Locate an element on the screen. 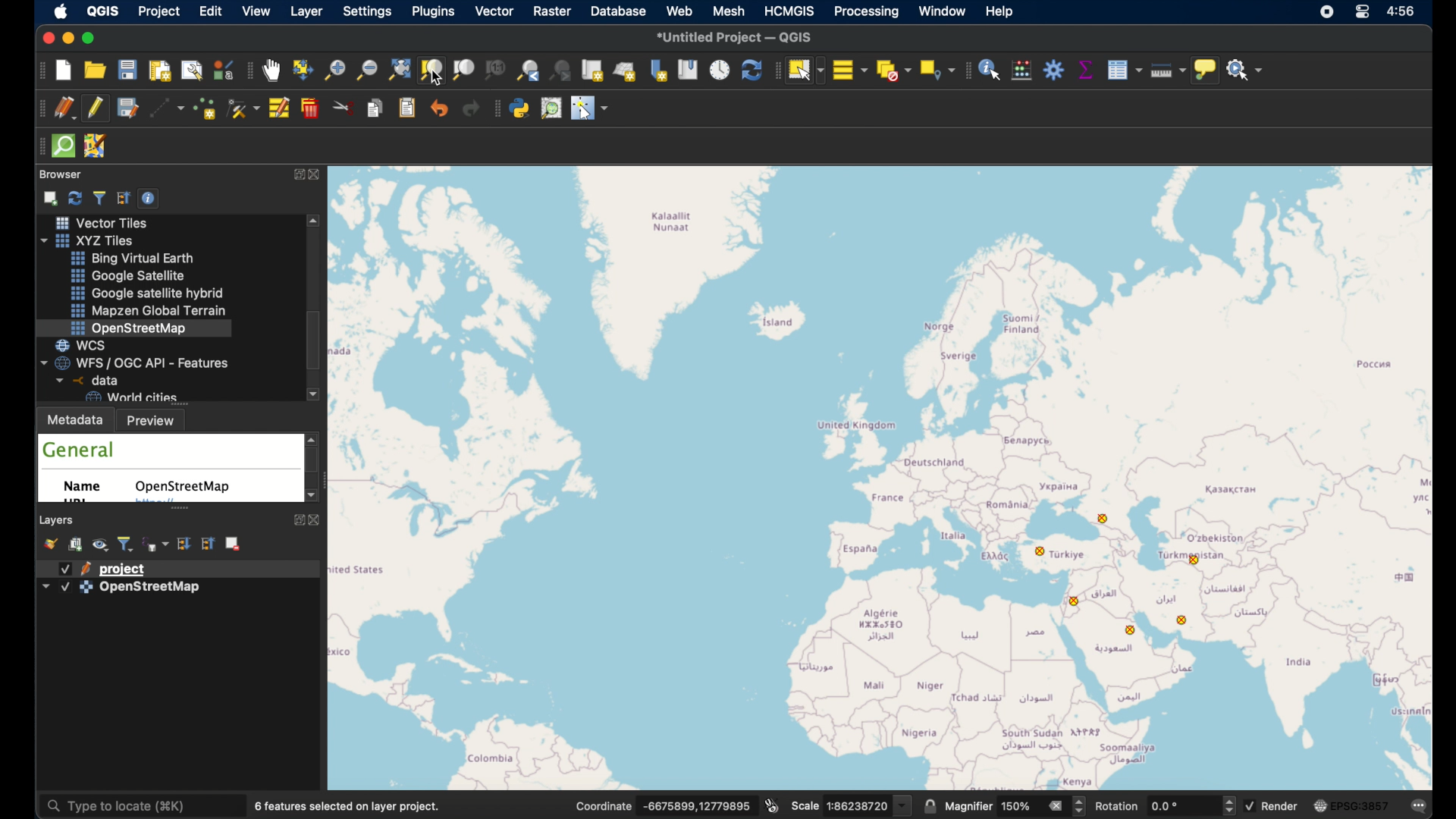 This screenshot has width=1456, height=819. metadata is located at coordinates (76, 419).